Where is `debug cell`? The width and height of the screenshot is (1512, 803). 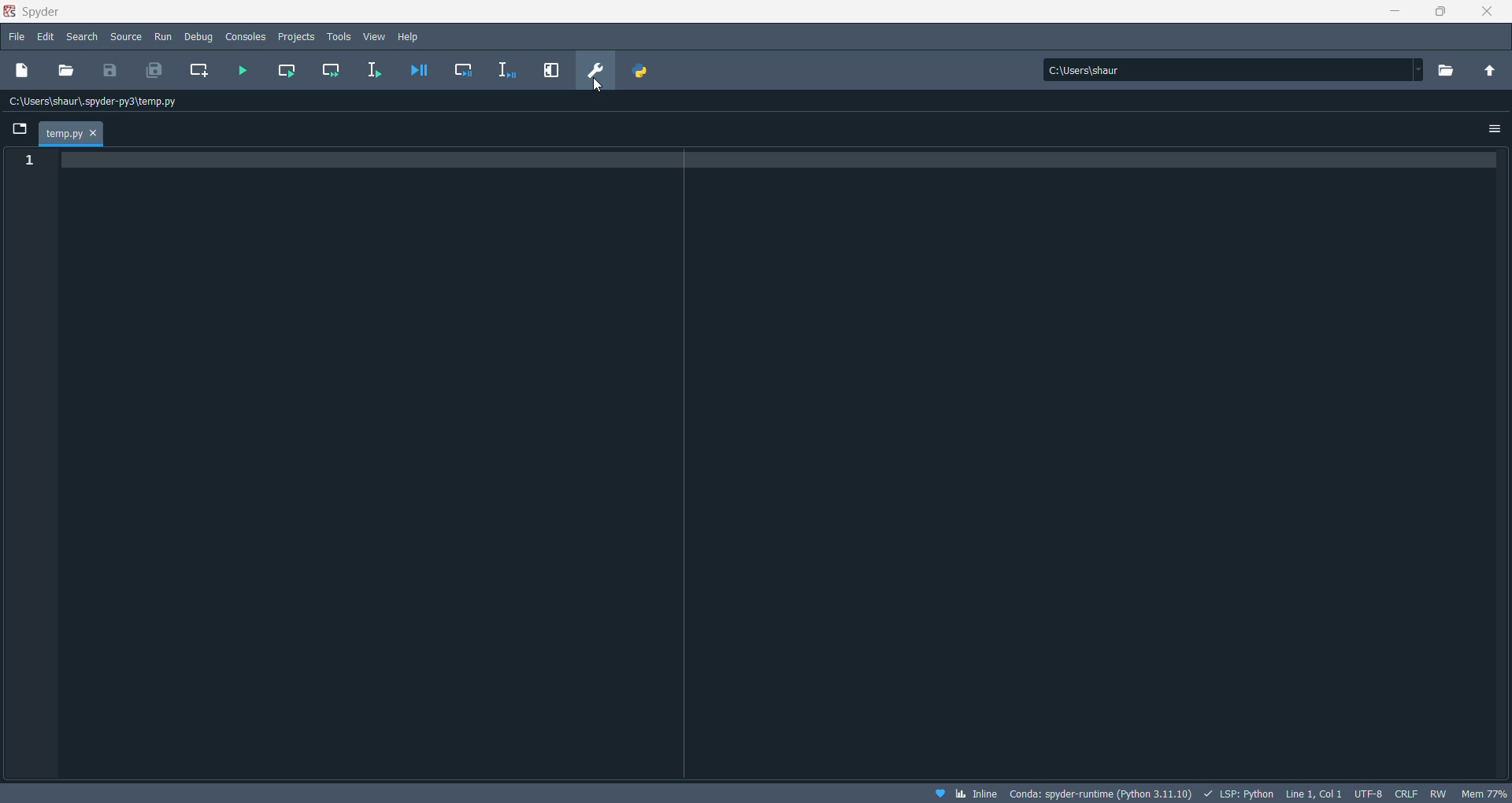 debug cell is located at coordinates (465, 70).